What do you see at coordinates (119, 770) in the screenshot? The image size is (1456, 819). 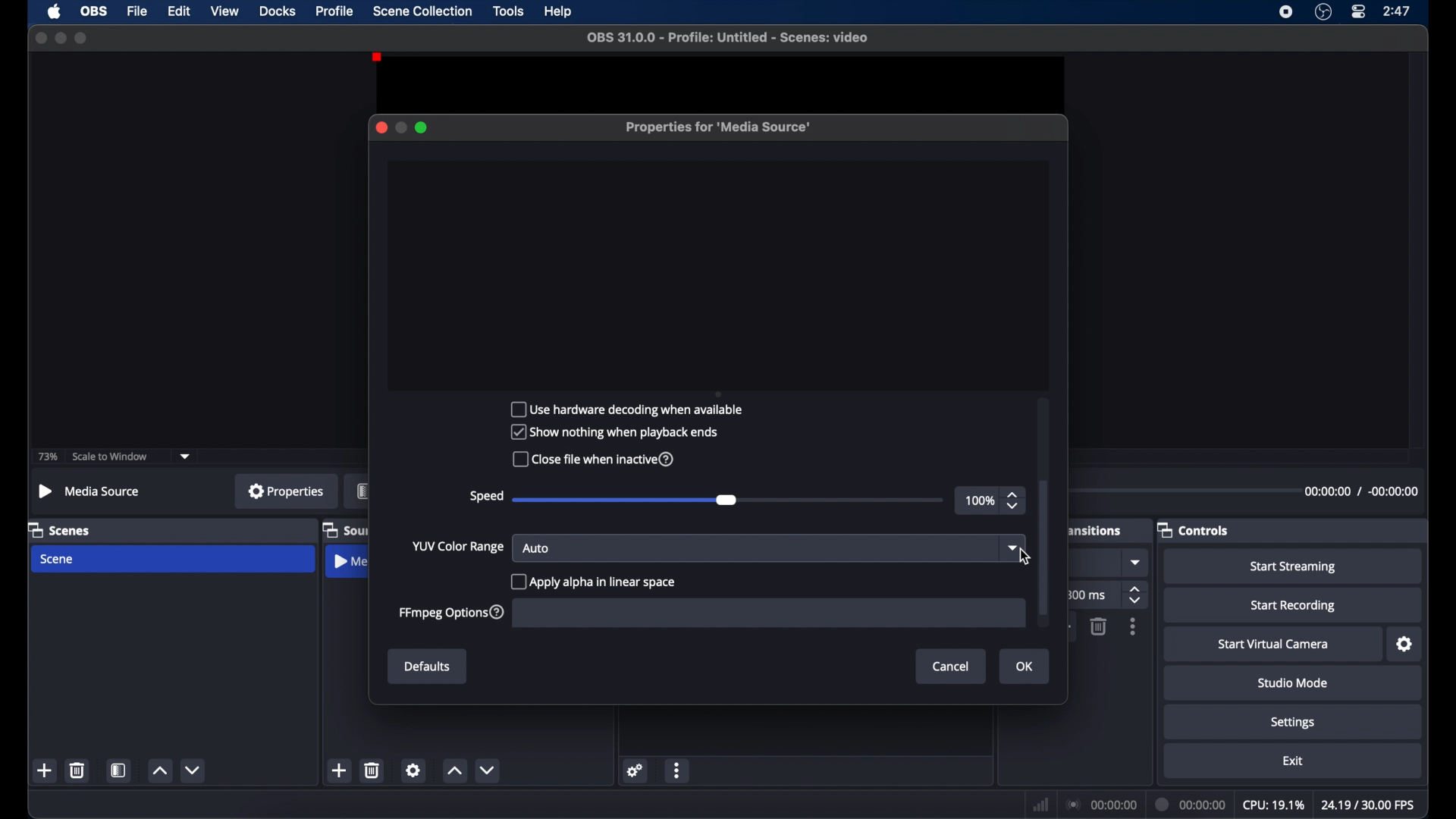 I see `scene filters` at bounding box center [119, 770].